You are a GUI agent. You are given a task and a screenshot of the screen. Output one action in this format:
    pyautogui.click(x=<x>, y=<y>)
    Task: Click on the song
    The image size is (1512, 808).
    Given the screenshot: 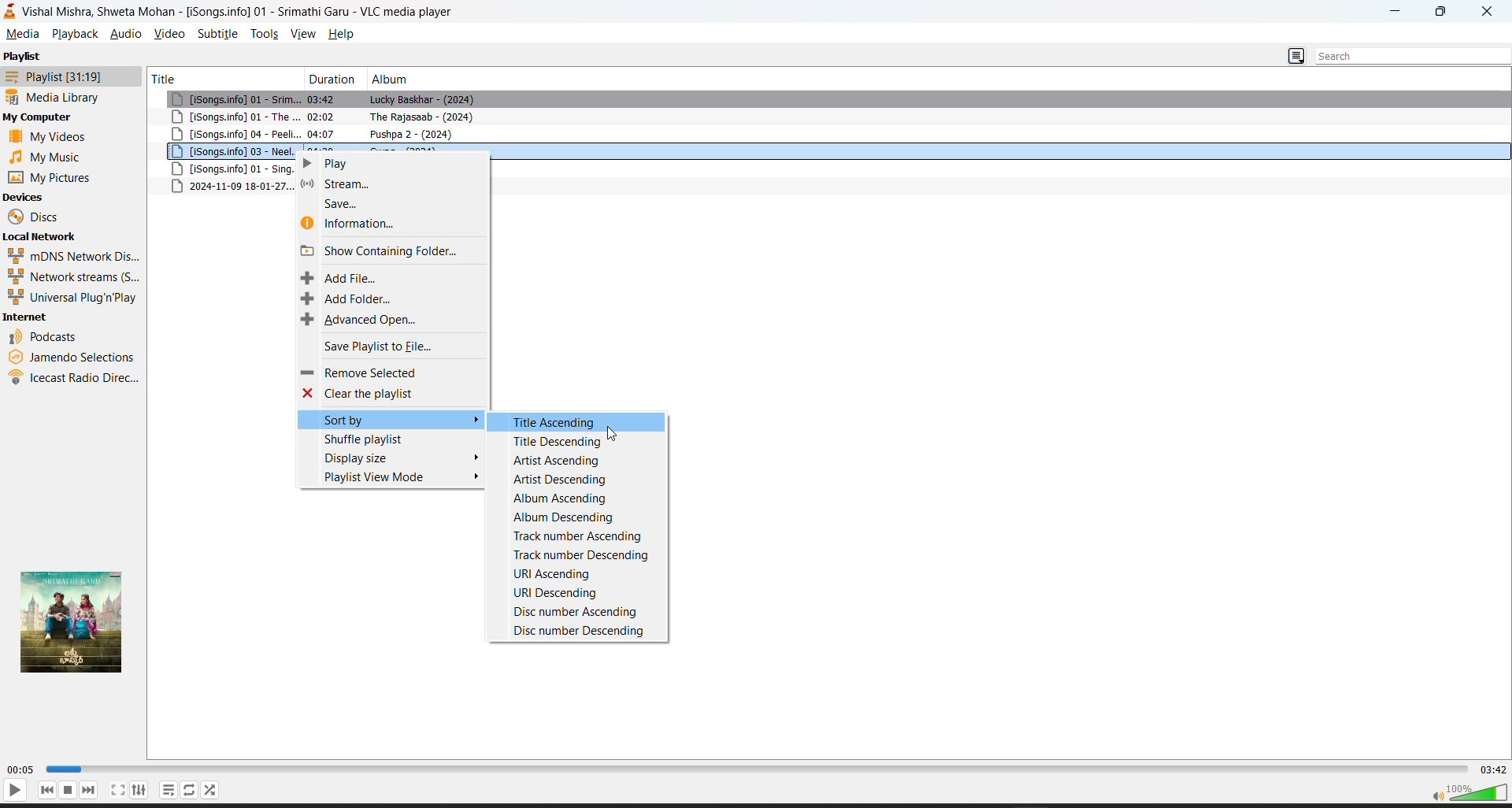 What is the action you would take?
    pyautogui.click(x=226, y=151)
    